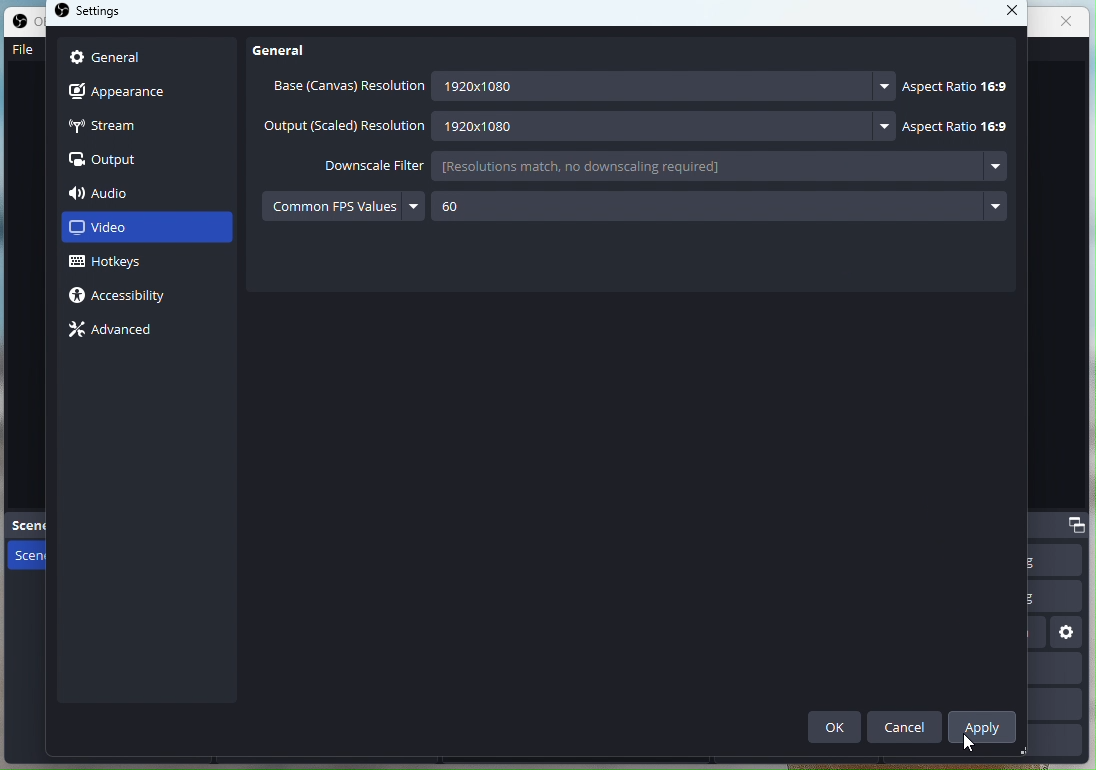 The image size is (1096, 770). Describe the element at coordinates (288, 49) in the screenshot. I see `General` at that location.